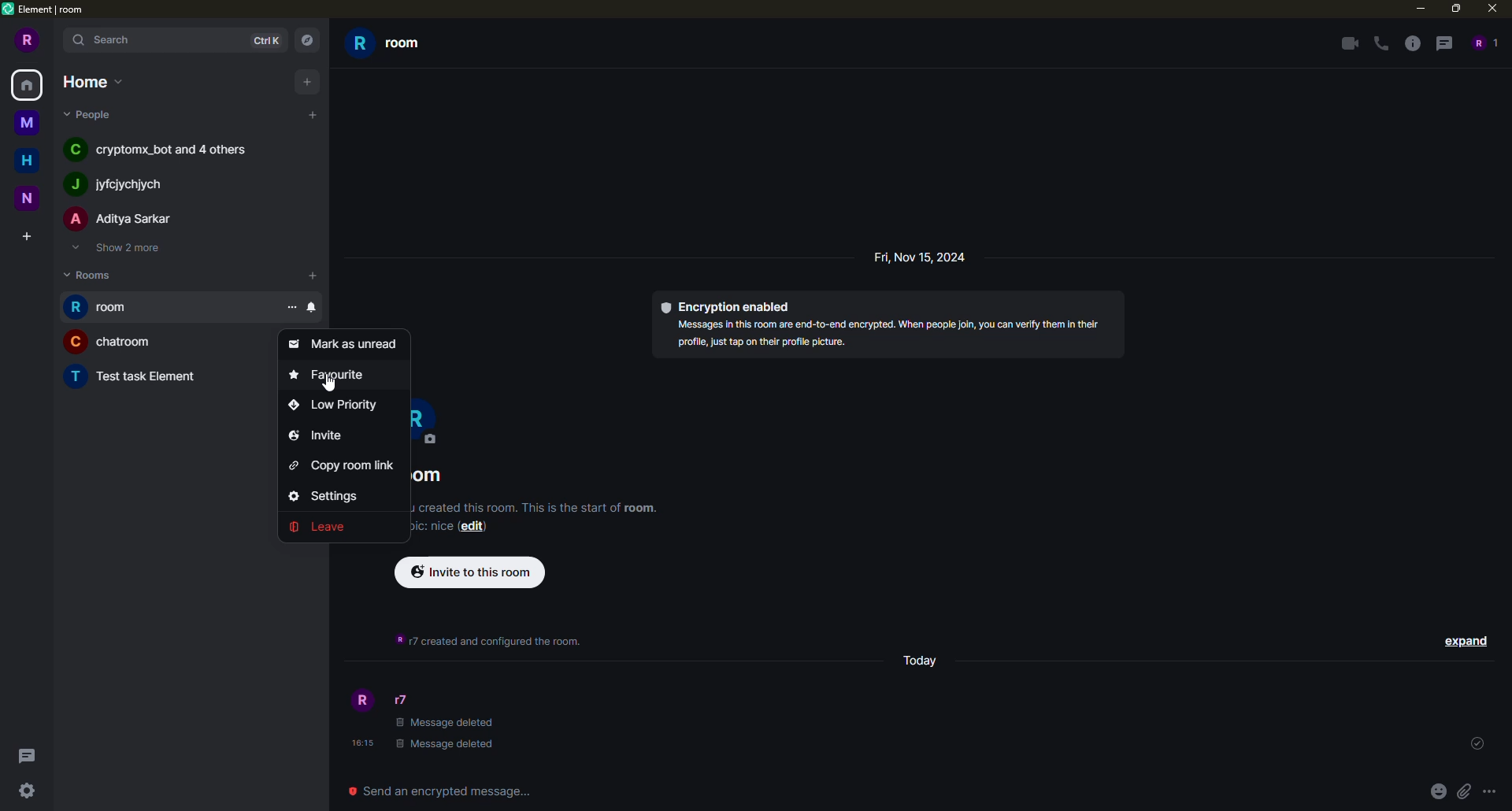  I want to click on Fri, Nov 15,2024, so click(910, 260).